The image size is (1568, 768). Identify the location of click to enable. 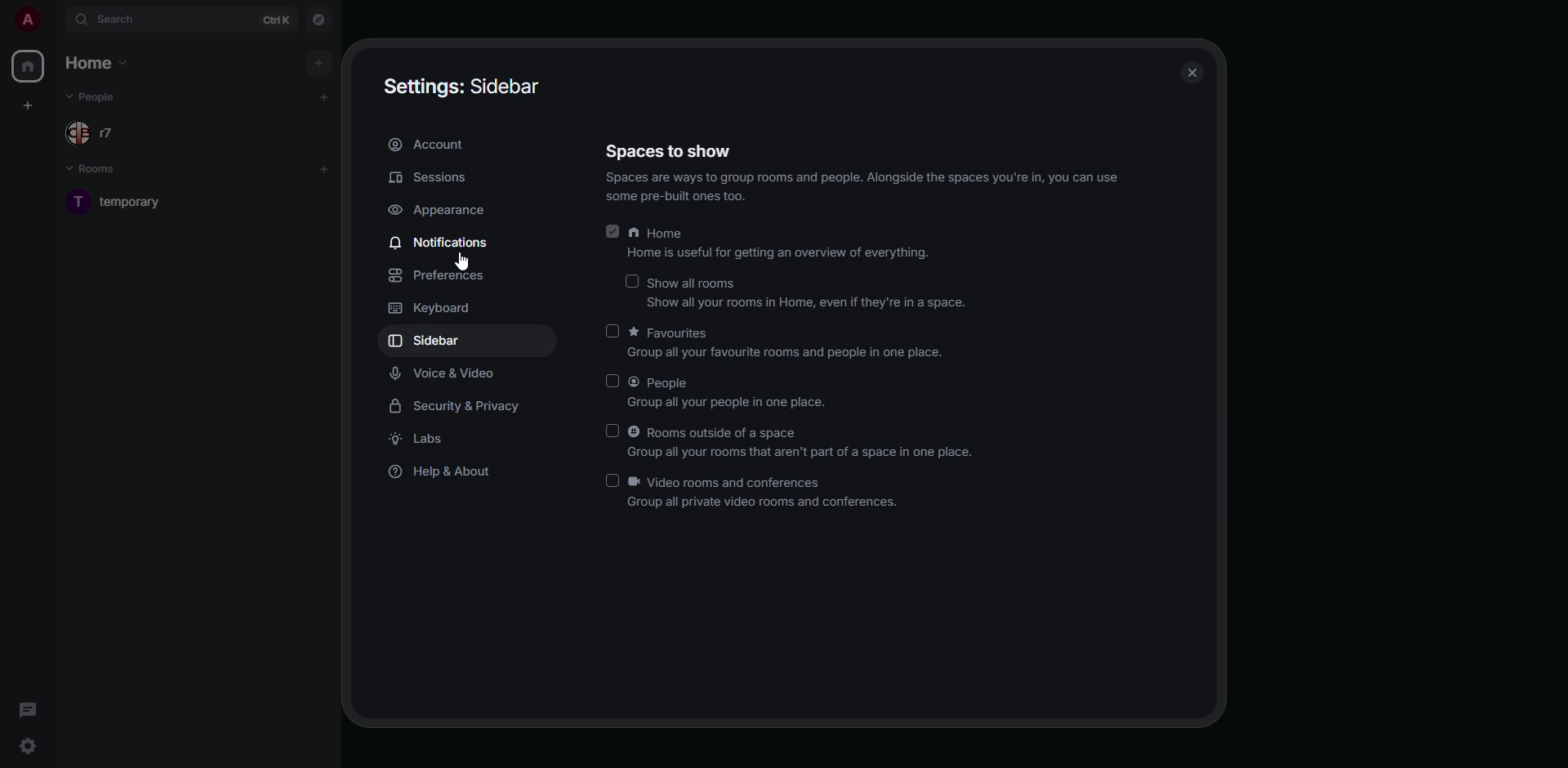
(614, 382).